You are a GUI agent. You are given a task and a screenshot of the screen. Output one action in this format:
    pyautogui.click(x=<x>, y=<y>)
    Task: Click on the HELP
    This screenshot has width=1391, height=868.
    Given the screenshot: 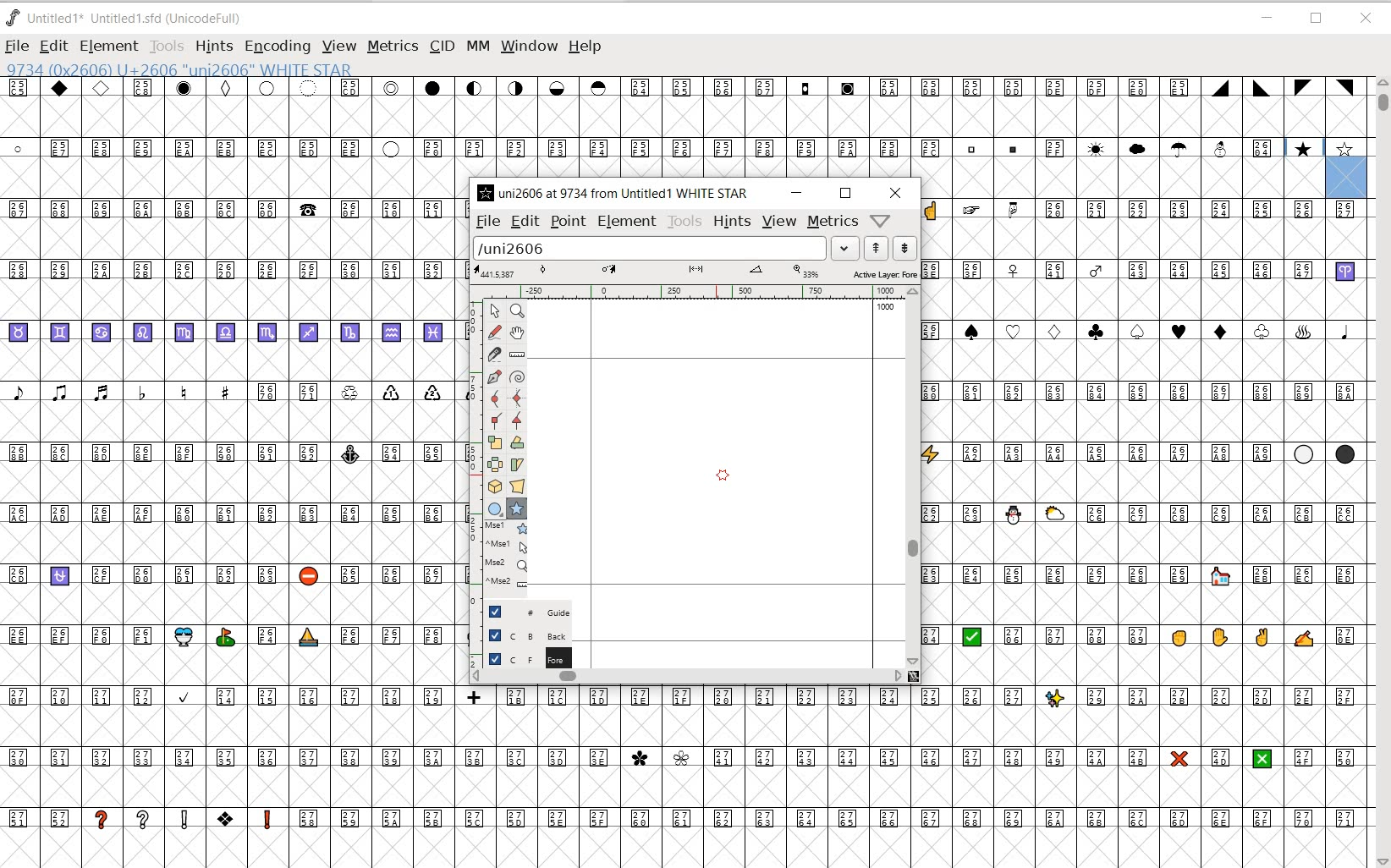 What is the action you would take?
    pyautogui.click(x=587, y=47)
    